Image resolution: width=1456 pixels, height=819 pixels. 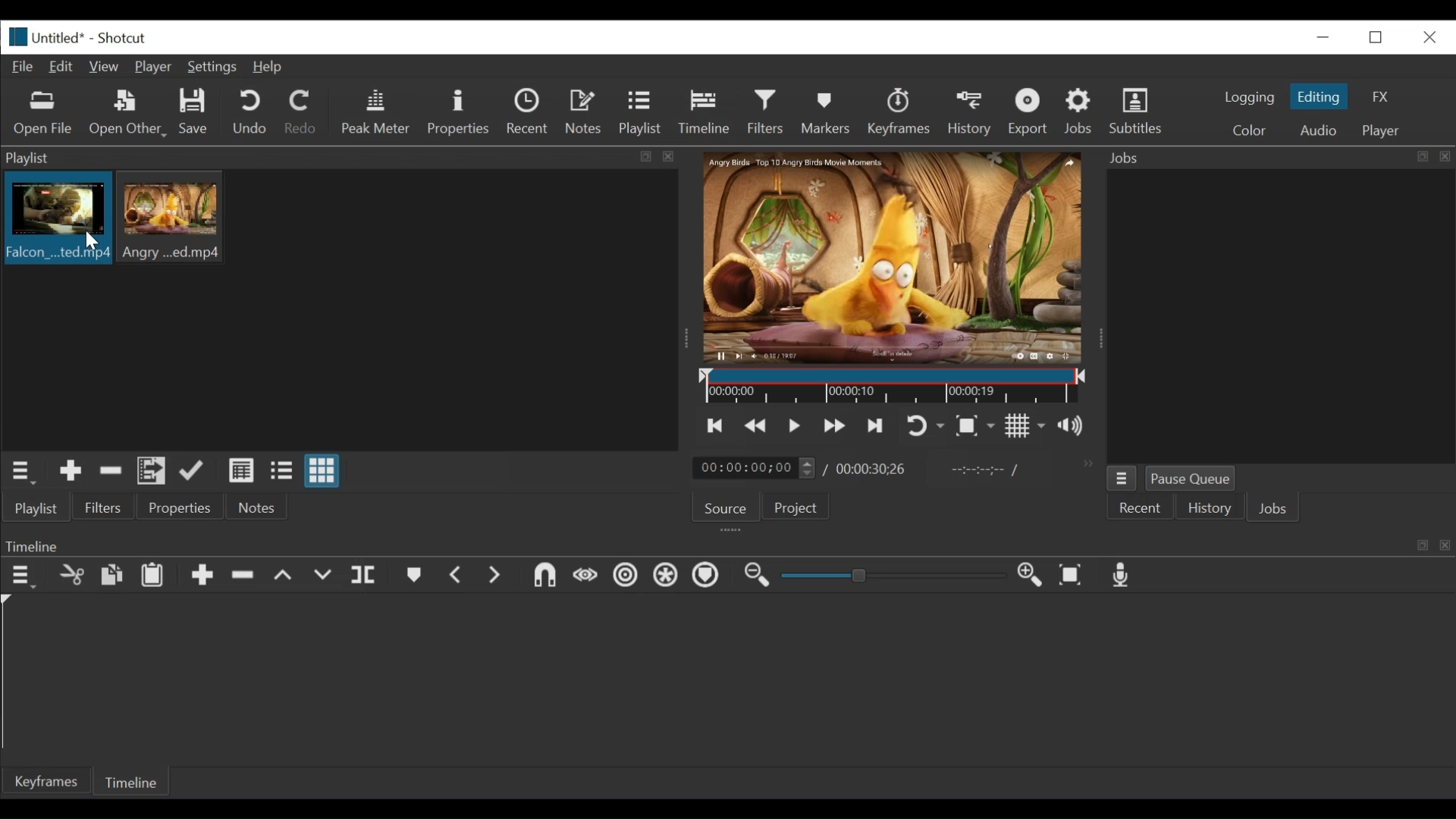 What do you see at coordinates (1321, 96) in the screenshot?
I see `Editing` at bounding box center [1321, 96].